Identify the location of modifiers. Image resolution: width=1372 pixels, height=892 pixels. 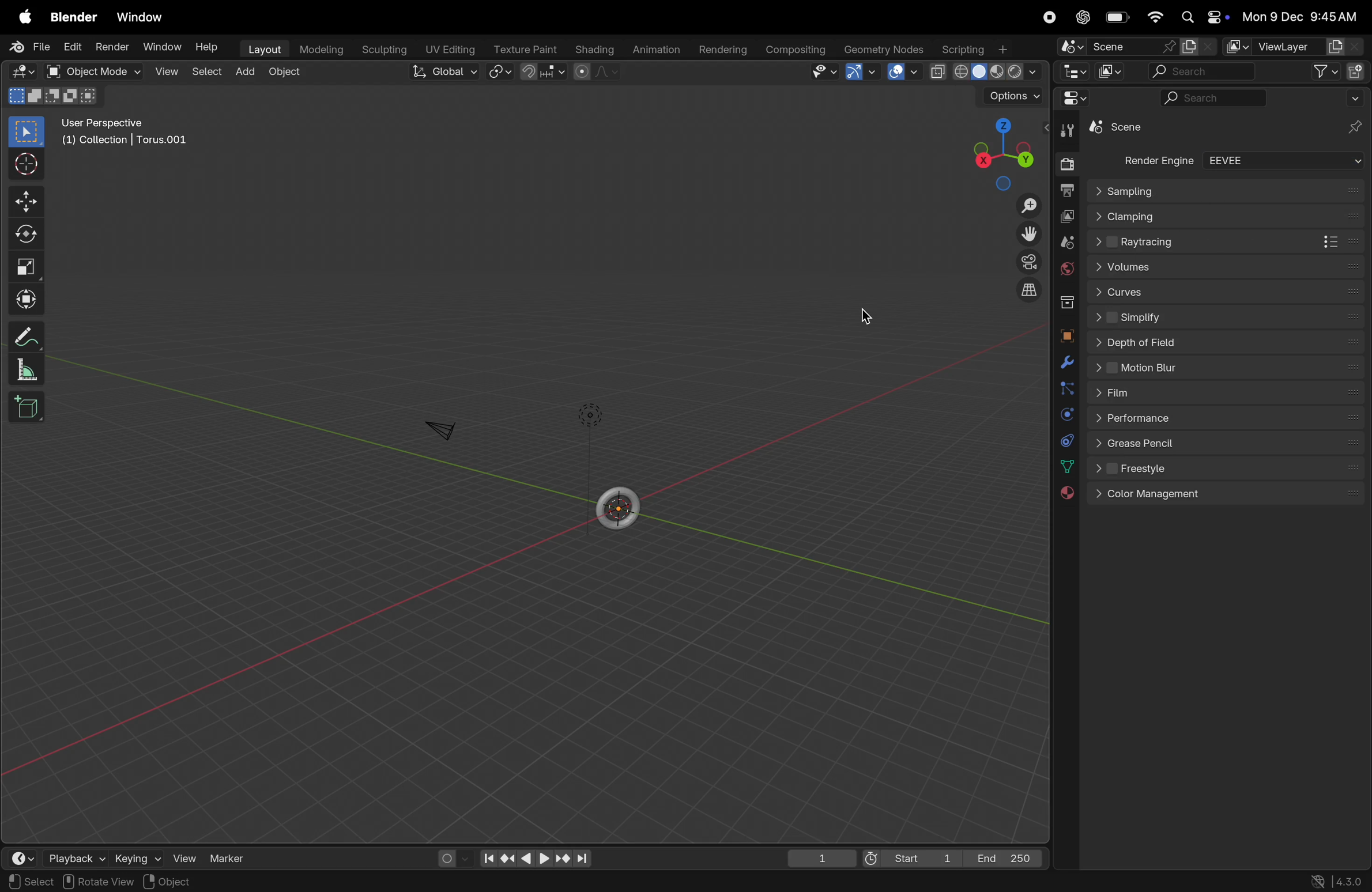
(1065, 363).